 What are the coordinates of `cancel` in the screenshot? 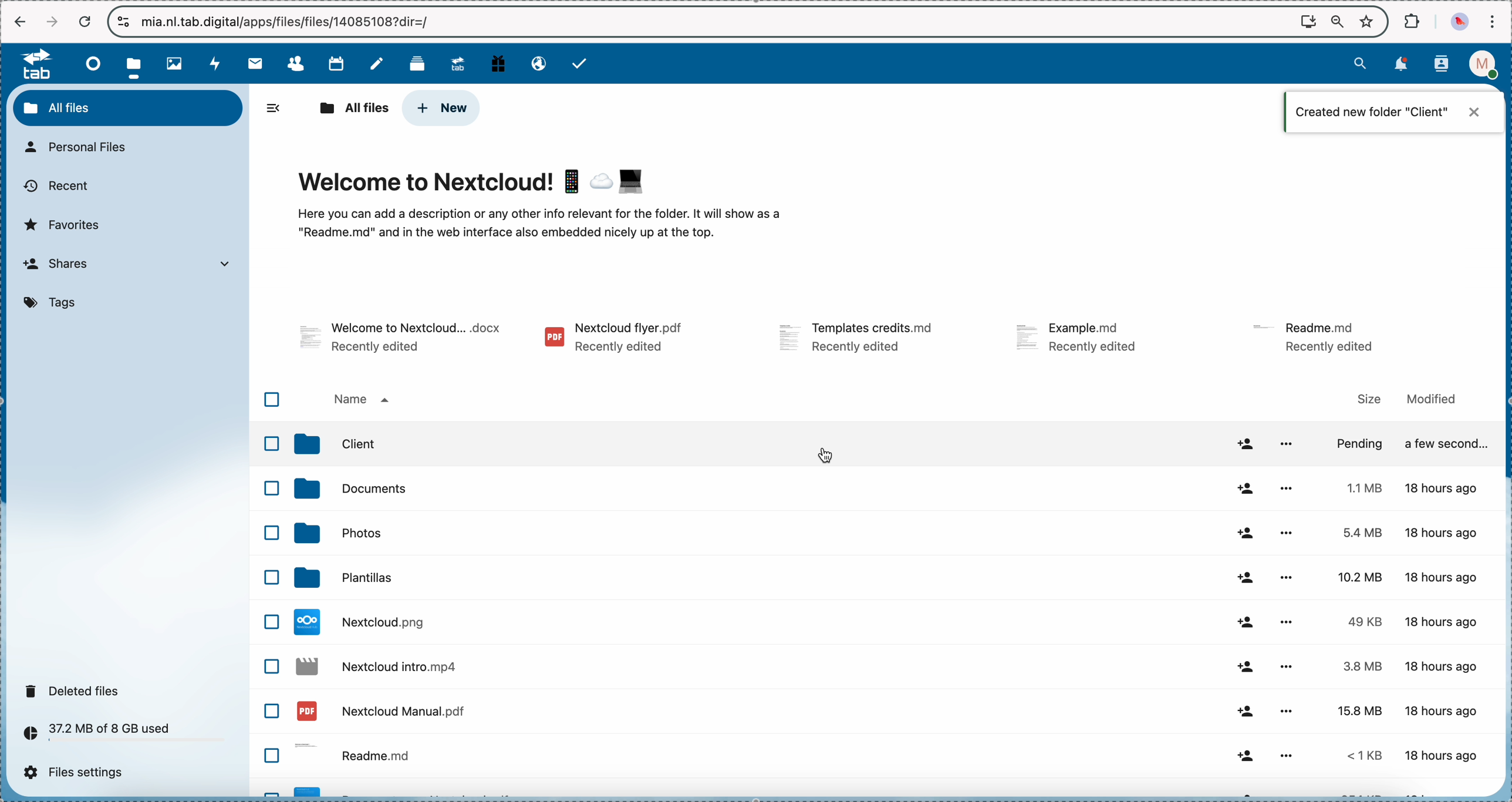 It's located at (84, 22).